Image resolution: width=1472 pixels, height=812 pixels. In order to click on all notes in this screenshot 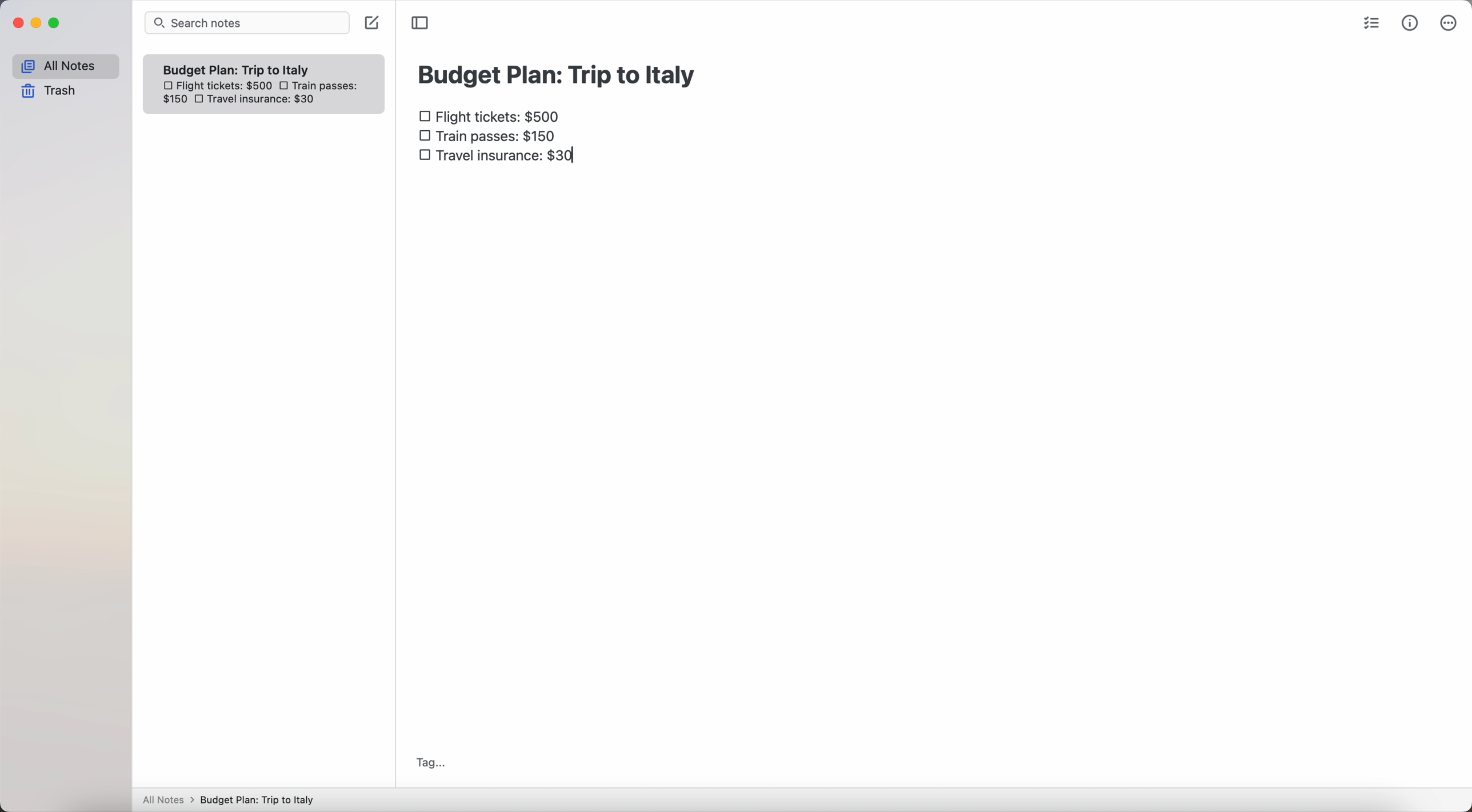, I will do `click(65, 66)`.